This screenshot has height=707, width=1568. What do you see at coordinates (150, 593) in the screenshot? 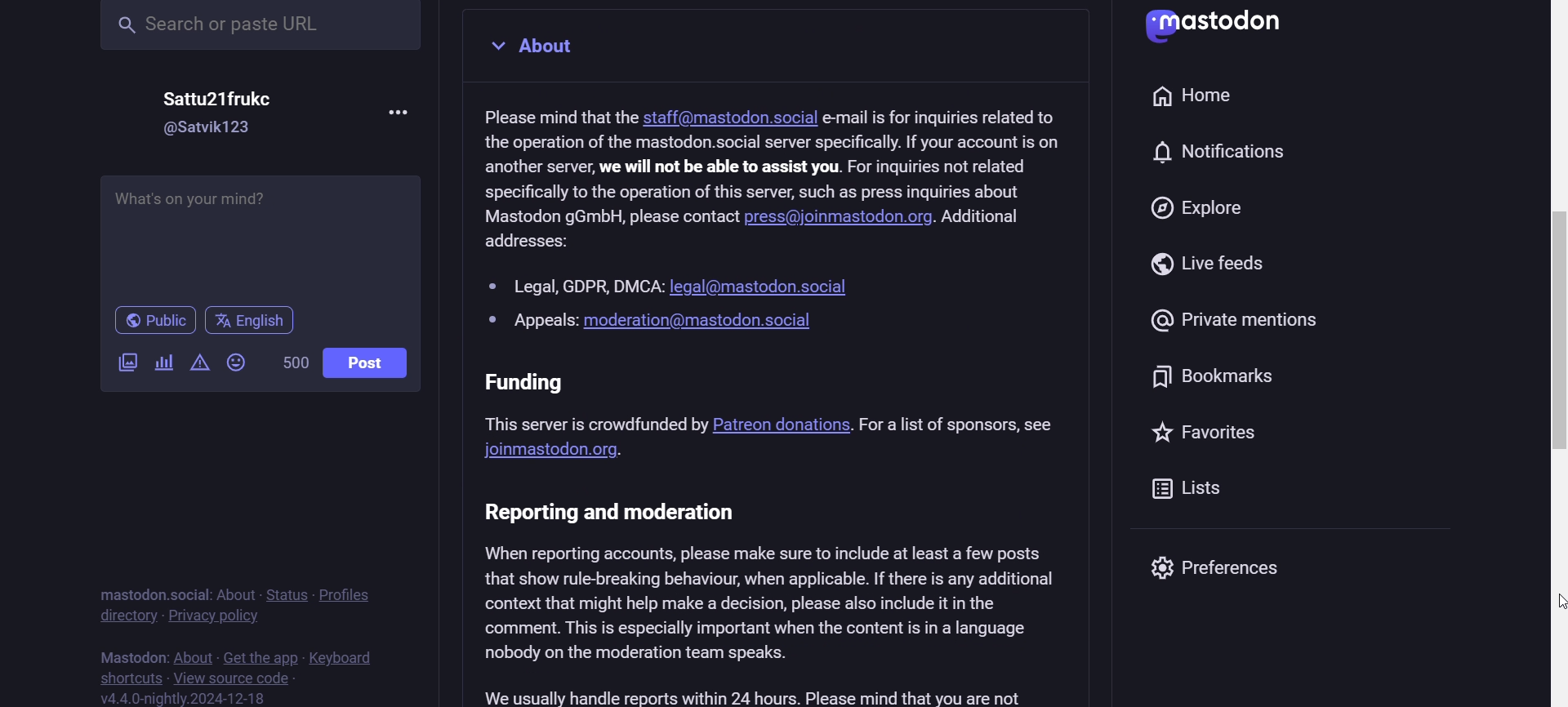
I see `mastodon social` at bounding box center [150, 593].